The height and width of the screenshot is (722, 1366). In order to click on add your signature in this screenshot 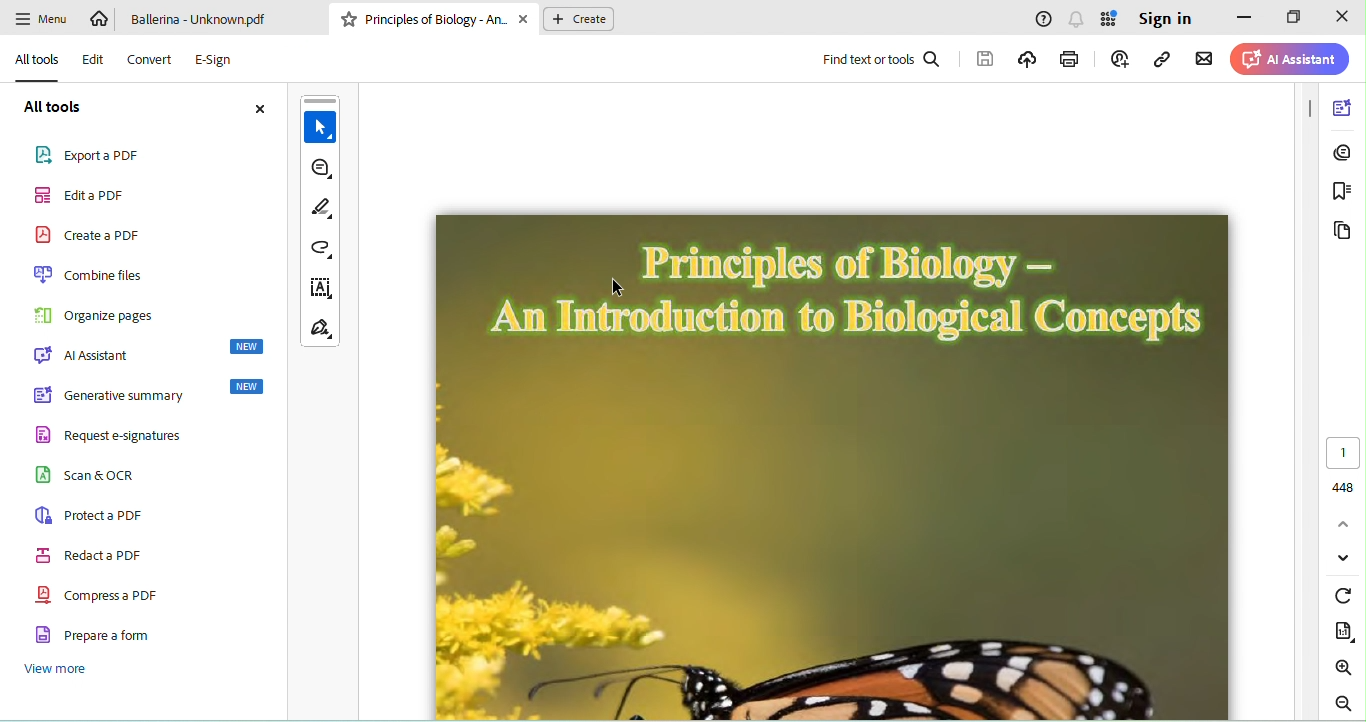, I will do `click(321, 330)`.